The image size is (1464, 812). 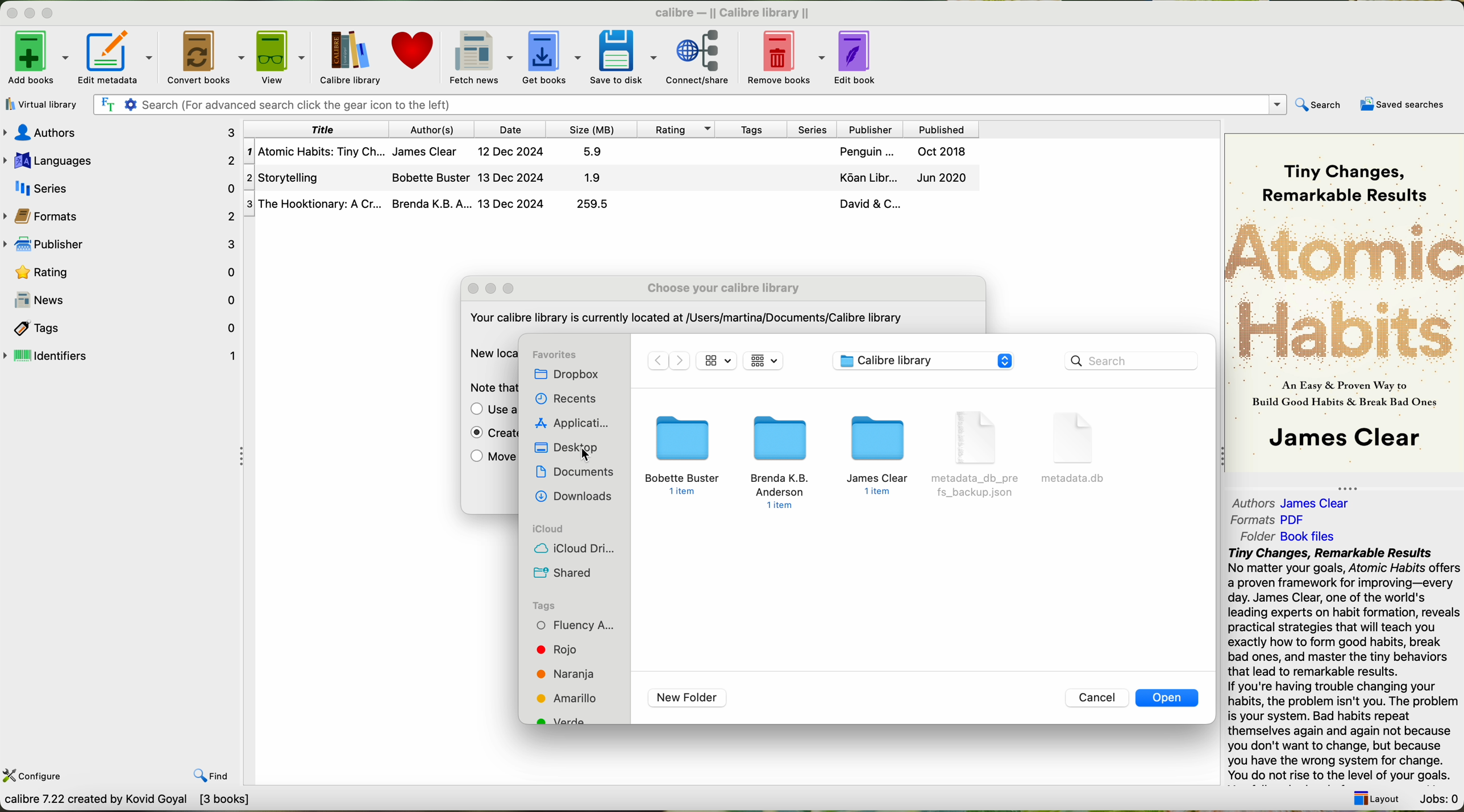 I want to click on shared, so click(x=562, y=571).